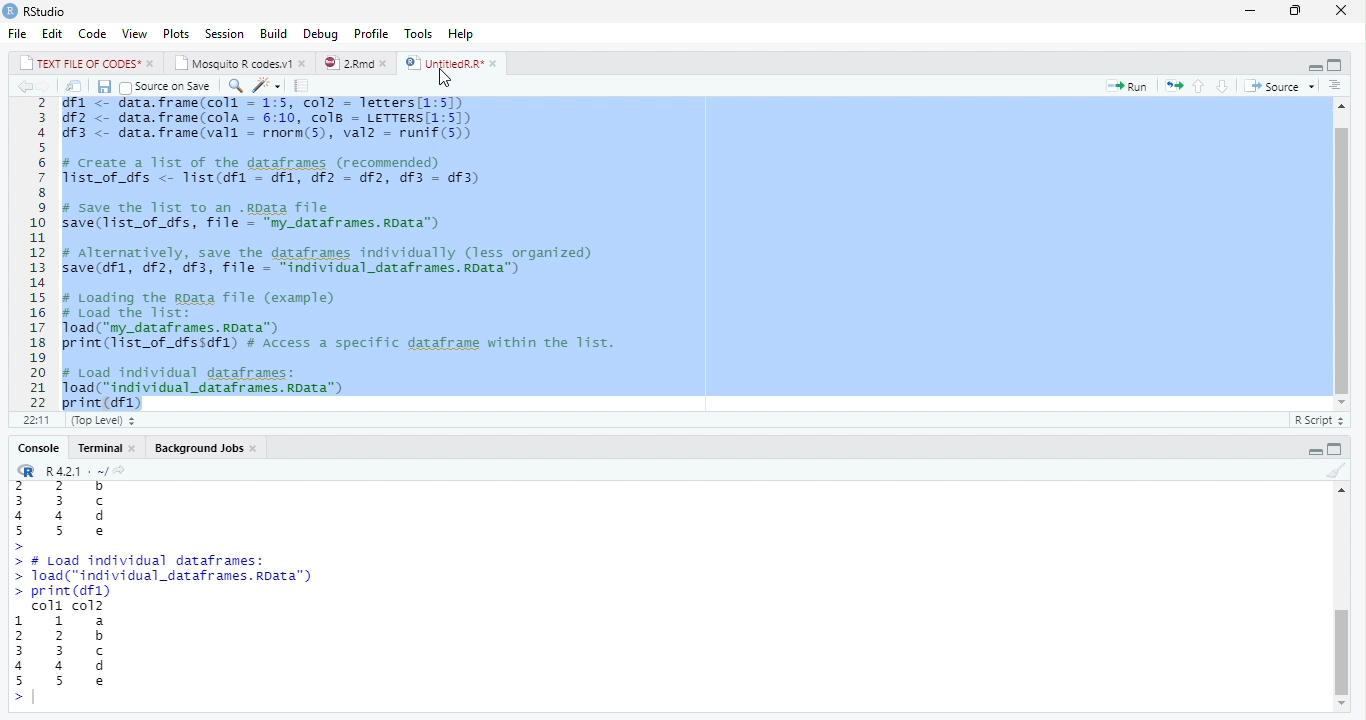 This screenshot has height=720, width=1366. What do you see at coordinates (164, 586) in the screenshot?
I see `2 2 b
3 3 <
4 4 d
5 5 e
> # Load individual dataframes:
> load("individual _datafranes. pata")
> print (dfi)
coll col2
1 1 a
2 2 b
3 3 <
4 4 d
5 5 e` at bounding box center [164, 586].